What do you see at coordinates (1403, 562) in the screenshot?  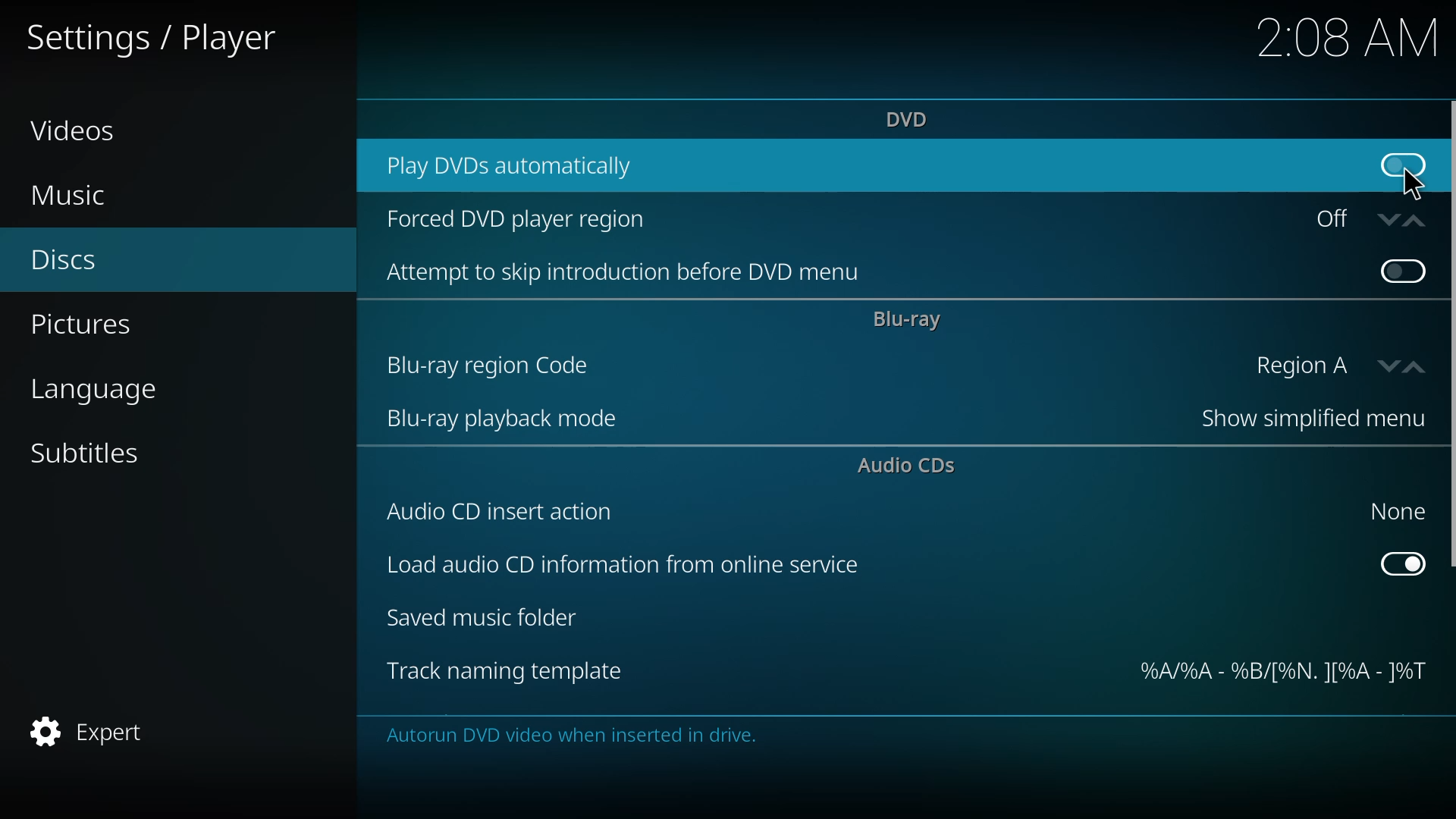 I see `enabled` at bounding box center [1403, 562].